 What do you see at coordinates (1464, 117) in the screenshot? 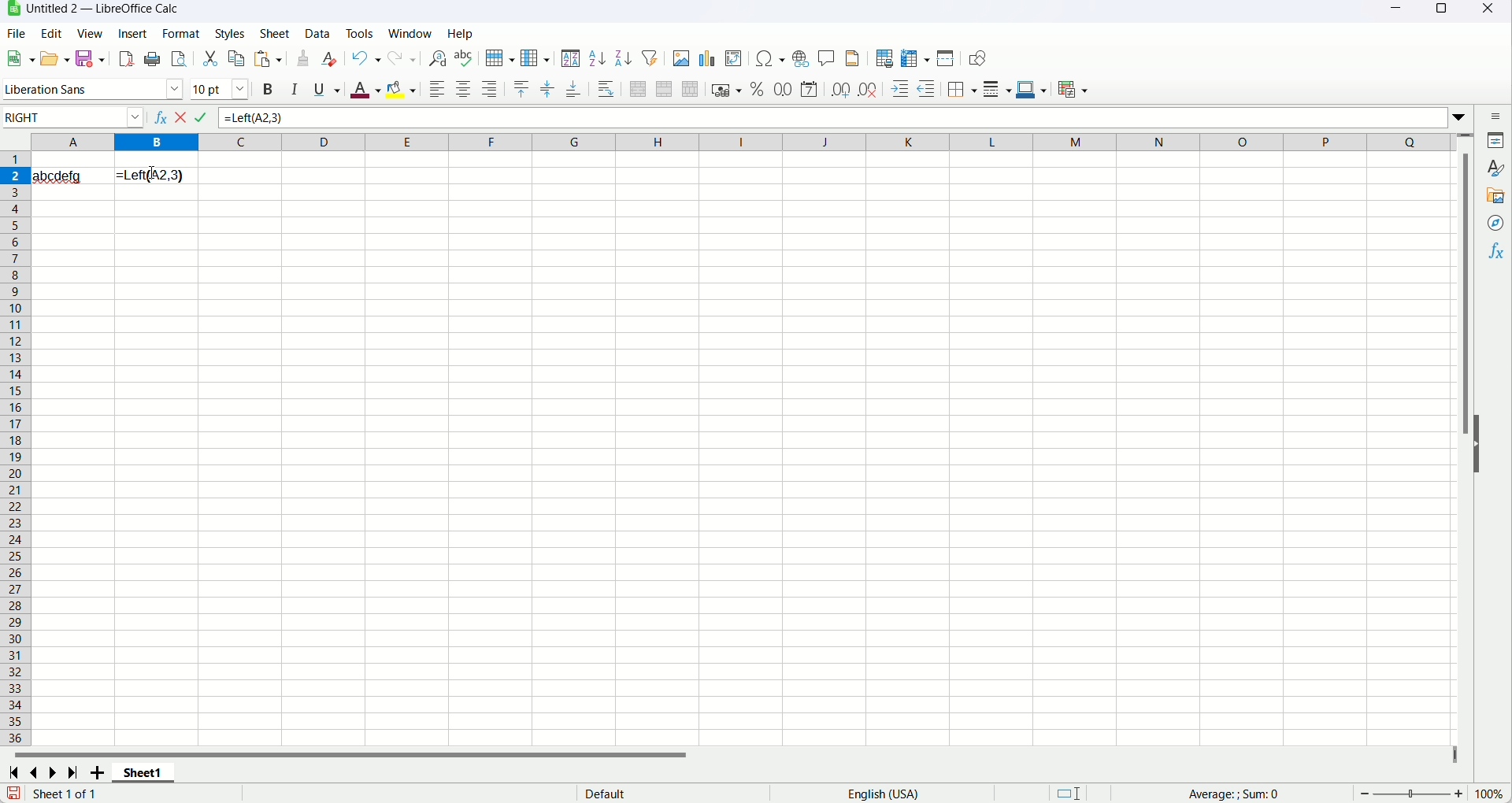
I see `expand formula bar` at bounding box center [1464, 117].